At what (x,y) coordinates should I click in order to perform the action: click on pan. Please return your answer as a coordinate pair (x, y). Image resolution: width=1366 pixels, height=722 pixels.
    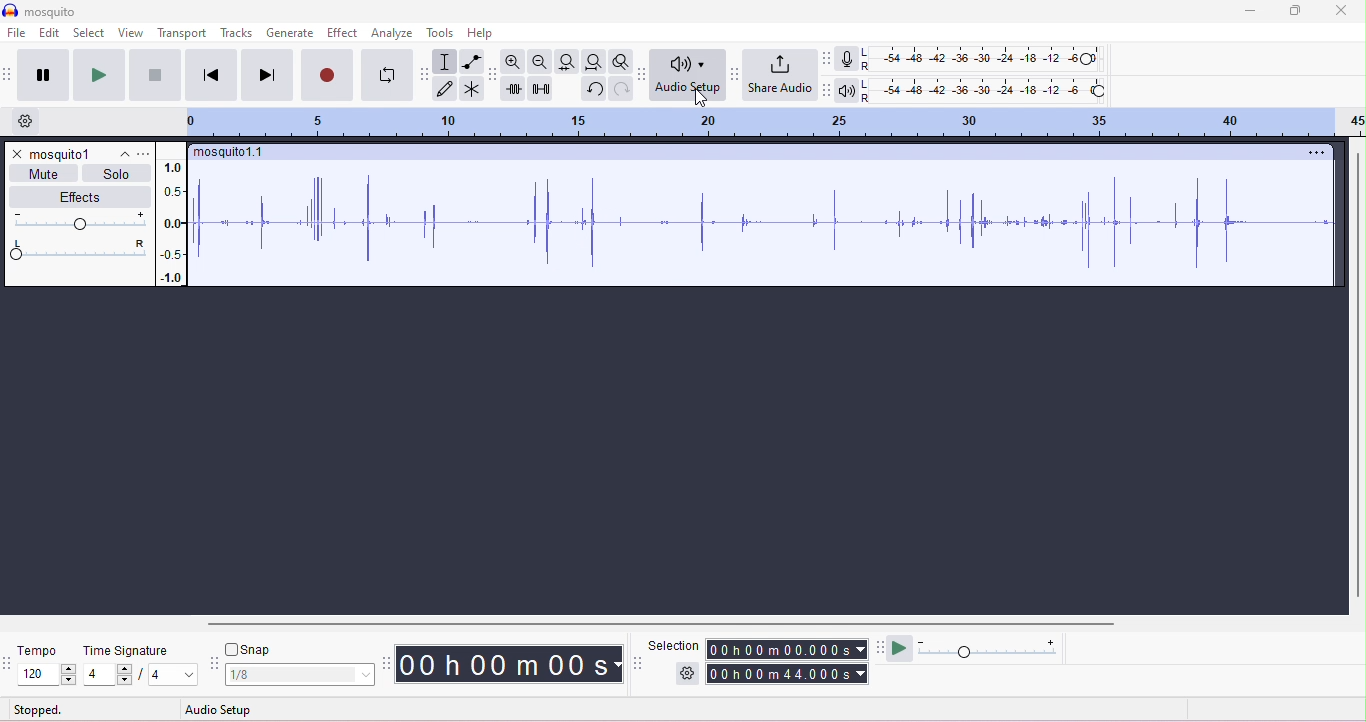
    Looking at the image, I should click on (77, 250).